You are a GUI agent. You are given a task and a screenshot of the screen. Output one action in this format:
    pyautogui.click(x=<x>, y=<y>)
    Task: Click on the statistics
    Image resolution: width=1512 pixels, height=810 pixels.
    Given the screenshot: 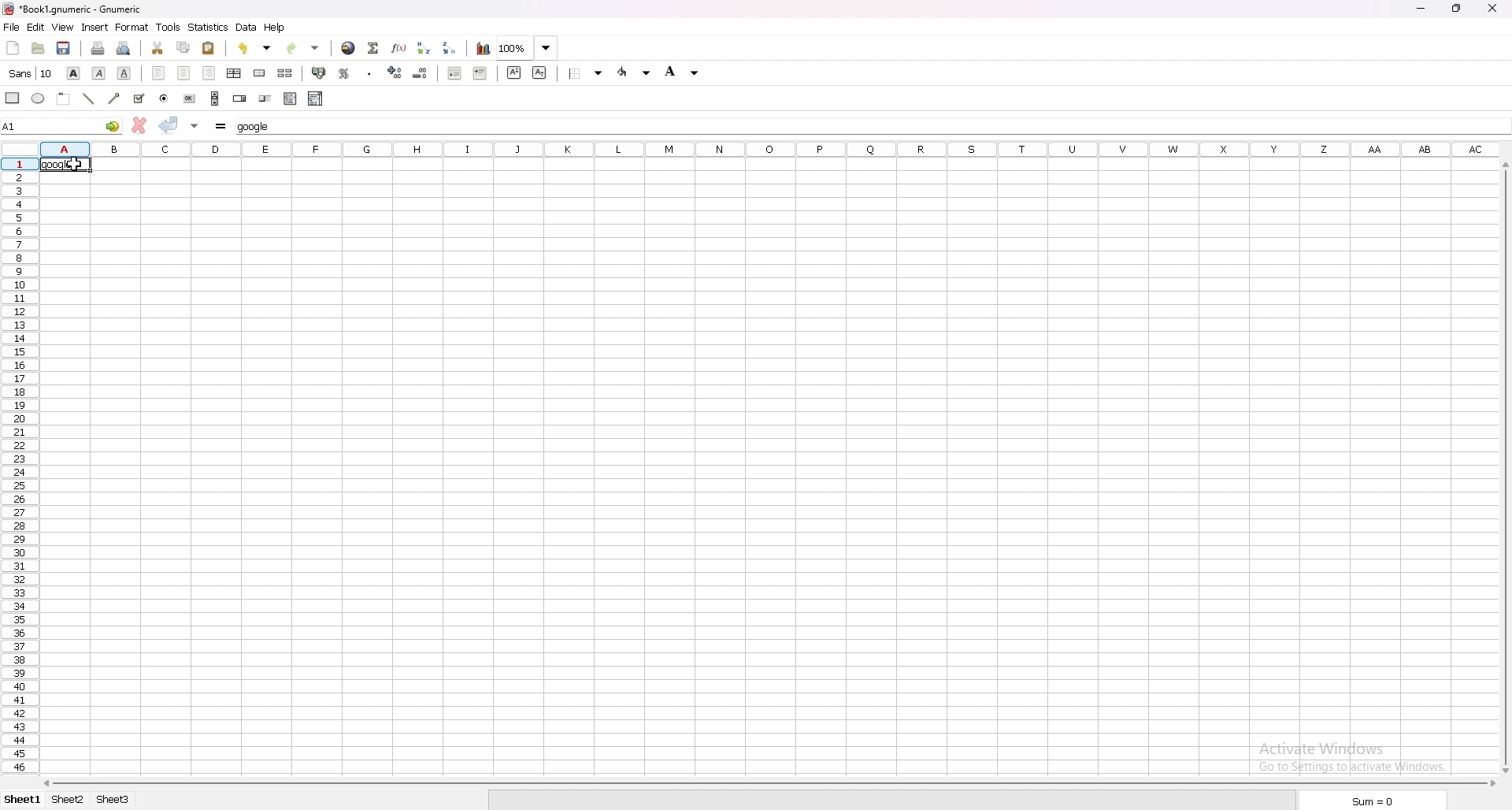 What is the action you would take?
    pyautogui.click(x=209, y=28)
    